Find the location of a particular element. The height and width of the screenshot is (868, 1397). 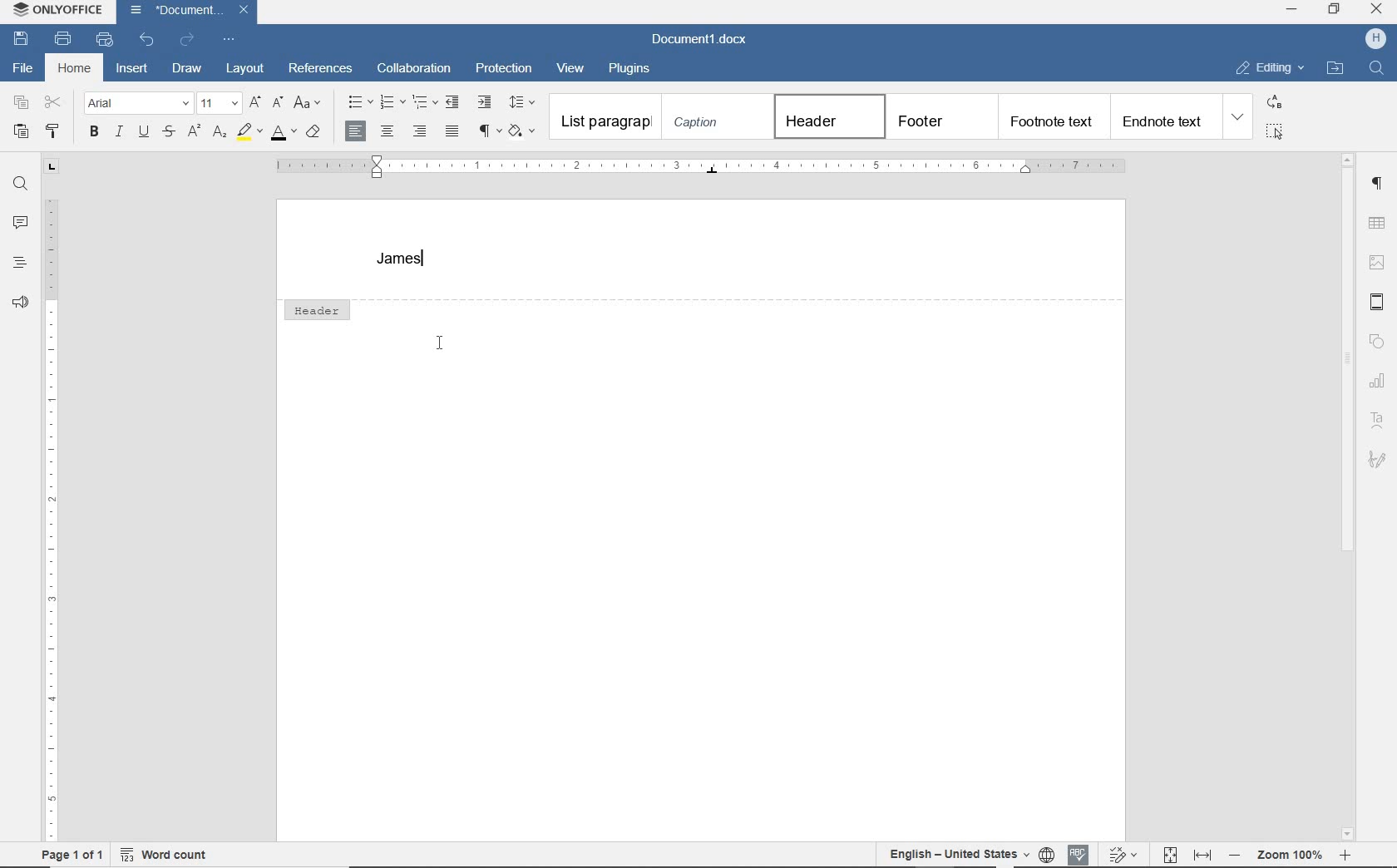

comments is located at coordinates (18, 223).